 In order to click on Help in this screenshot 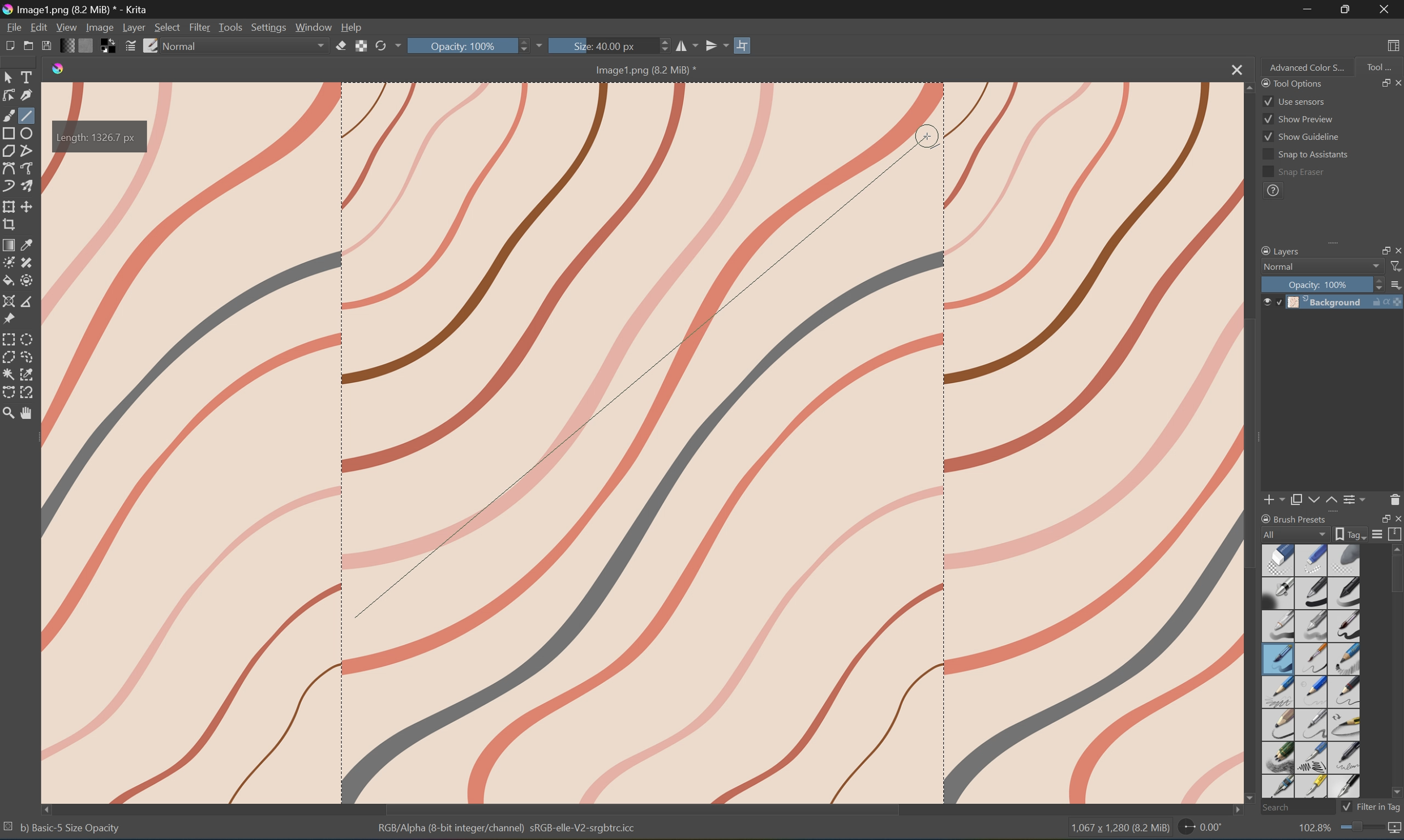, I will do `click(354, 28)`.